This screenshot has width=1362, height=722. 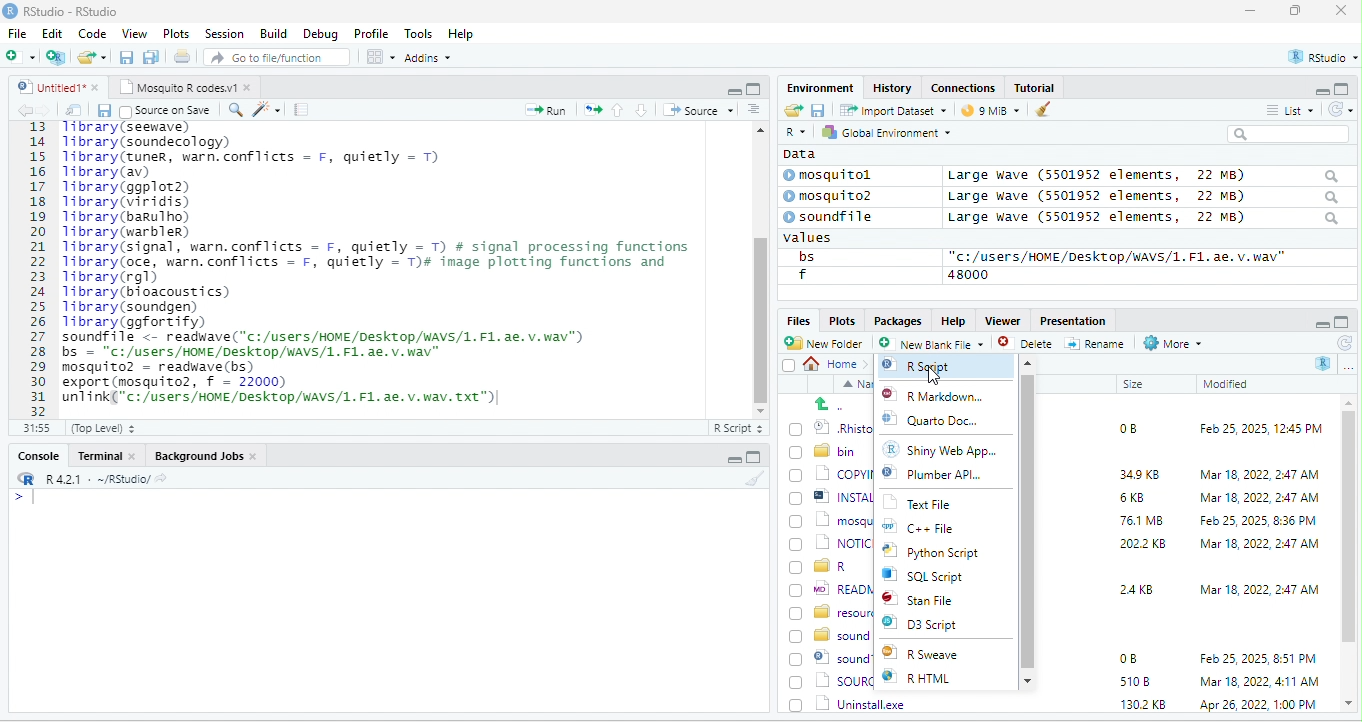 What do you see at coordinates (937, 655) in the screenshot?
I see `R Sweave` at bounding box center [937, 655].